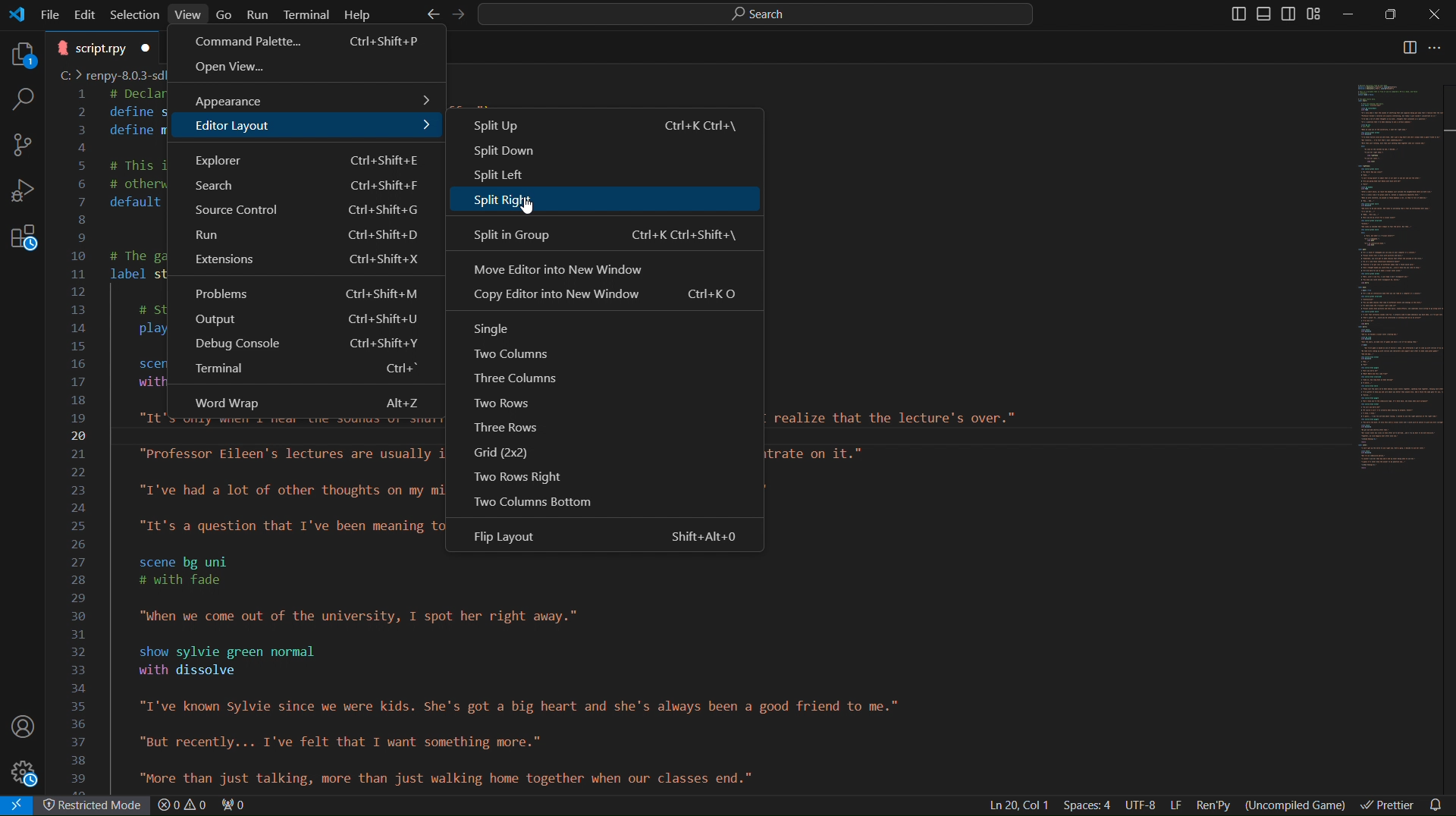 The image size is (1456, 816). What do you see at coordinates (511, 475) in the screenshot?
I see `Two Rows Right` at bounding box center [511, 475].